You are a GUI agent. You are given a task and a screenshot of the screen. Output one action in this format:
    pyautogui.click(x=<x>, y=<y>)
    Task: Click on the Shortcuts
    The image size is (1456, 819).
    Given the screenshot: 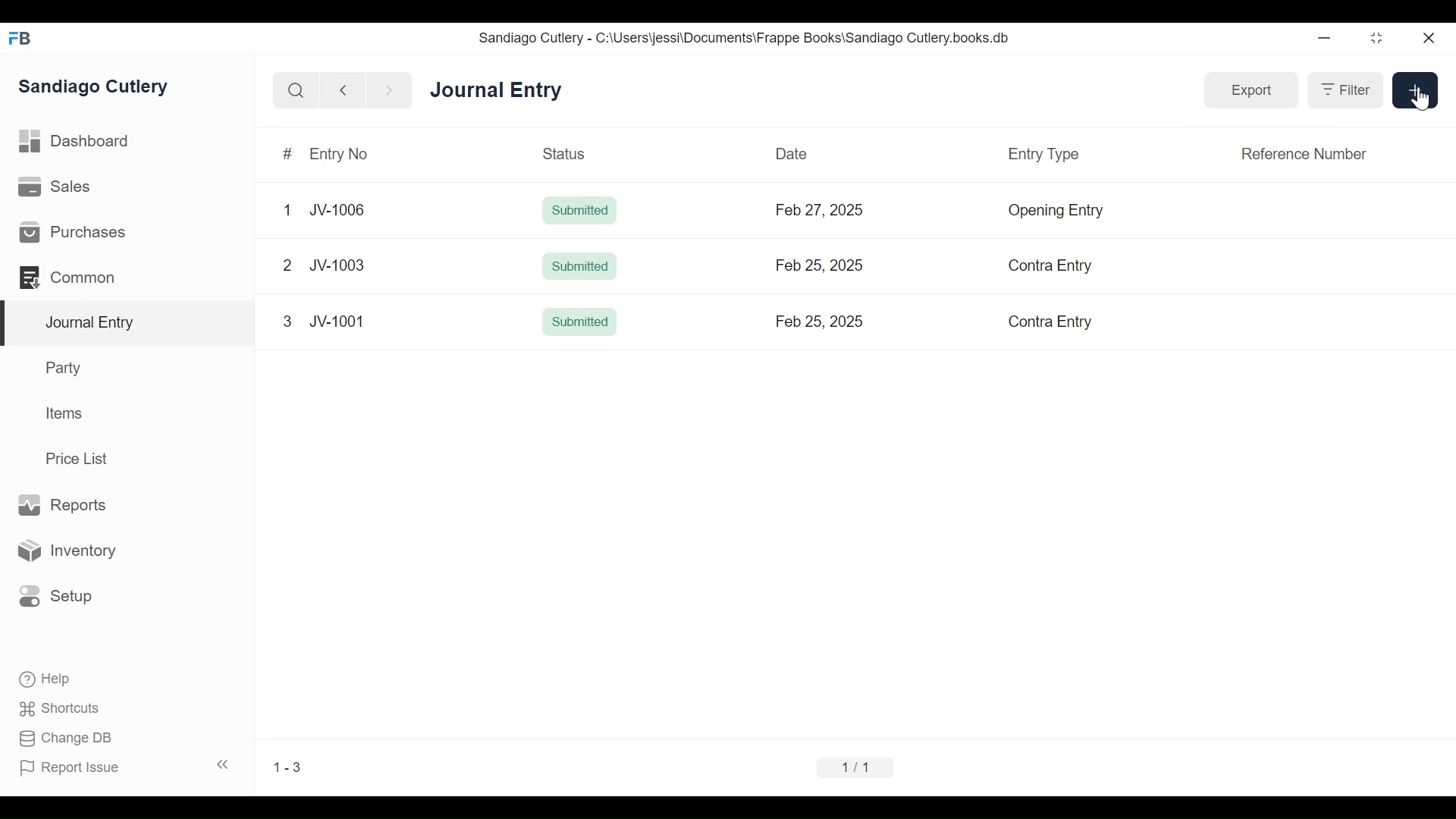 What is the action you would take?
    pyautogui.click(x=52, y=709)
    